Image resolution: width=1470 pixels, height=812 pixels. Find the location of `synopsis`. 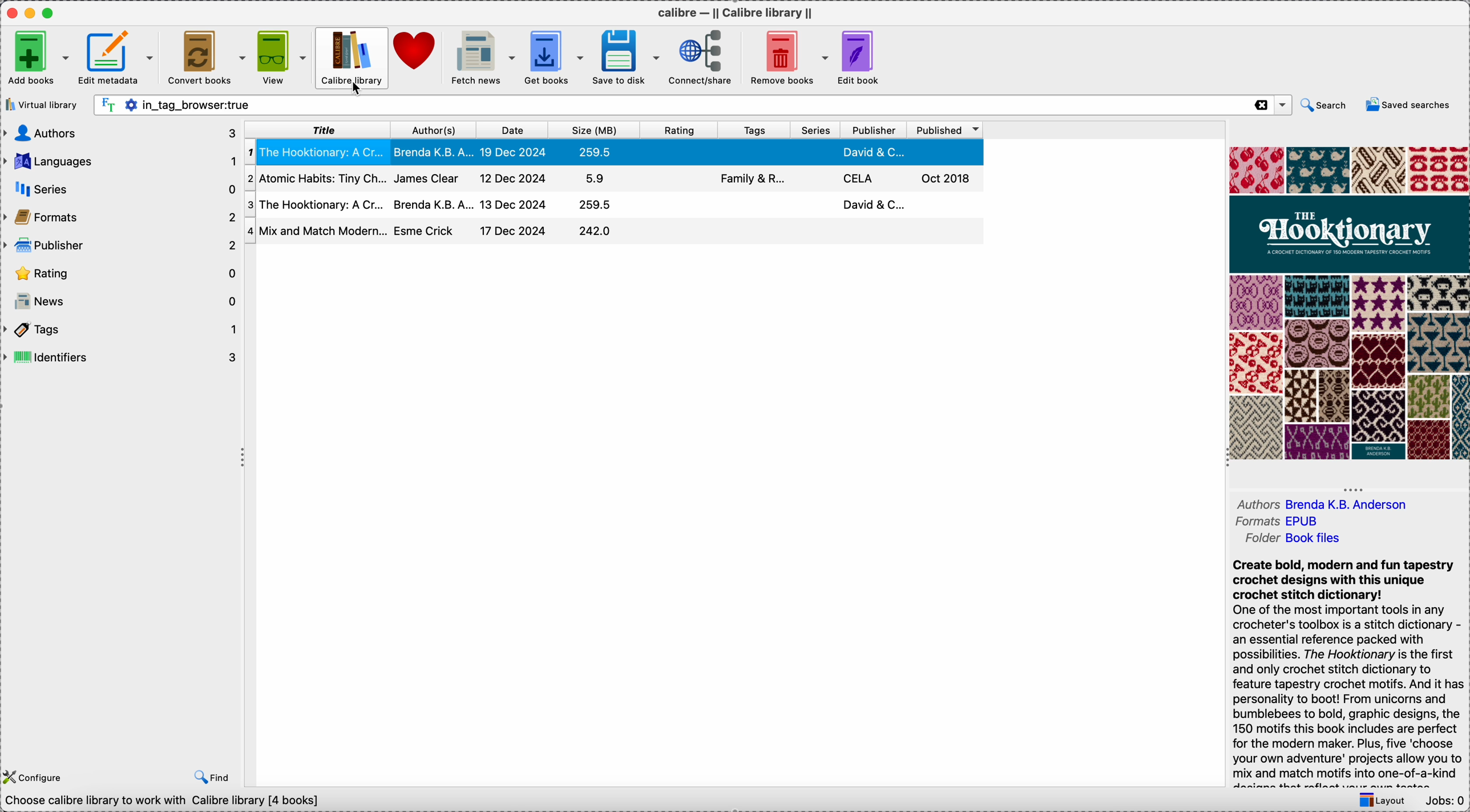

synopsis is located at coordinates (1350, 673).